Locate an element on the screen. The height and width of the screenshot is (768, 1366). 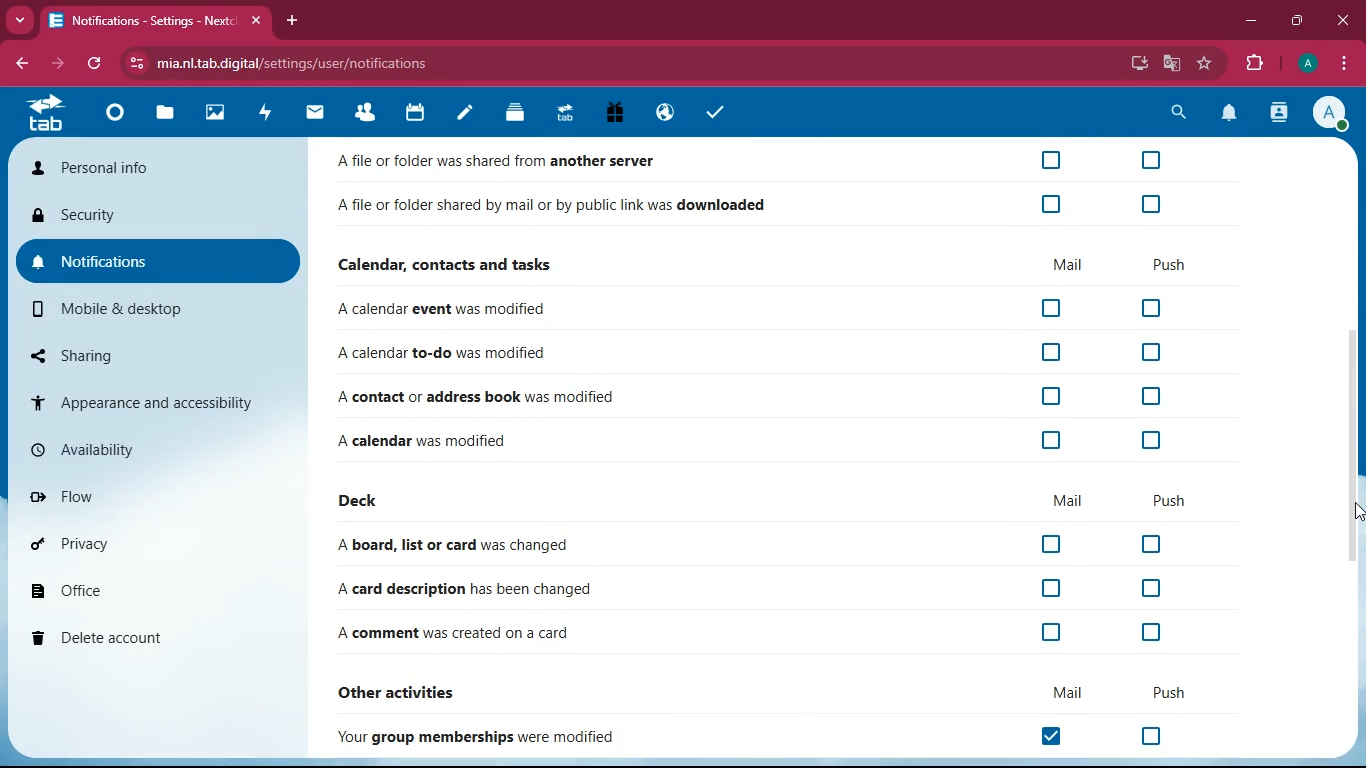
notifications is located at coordinates (159, 263).